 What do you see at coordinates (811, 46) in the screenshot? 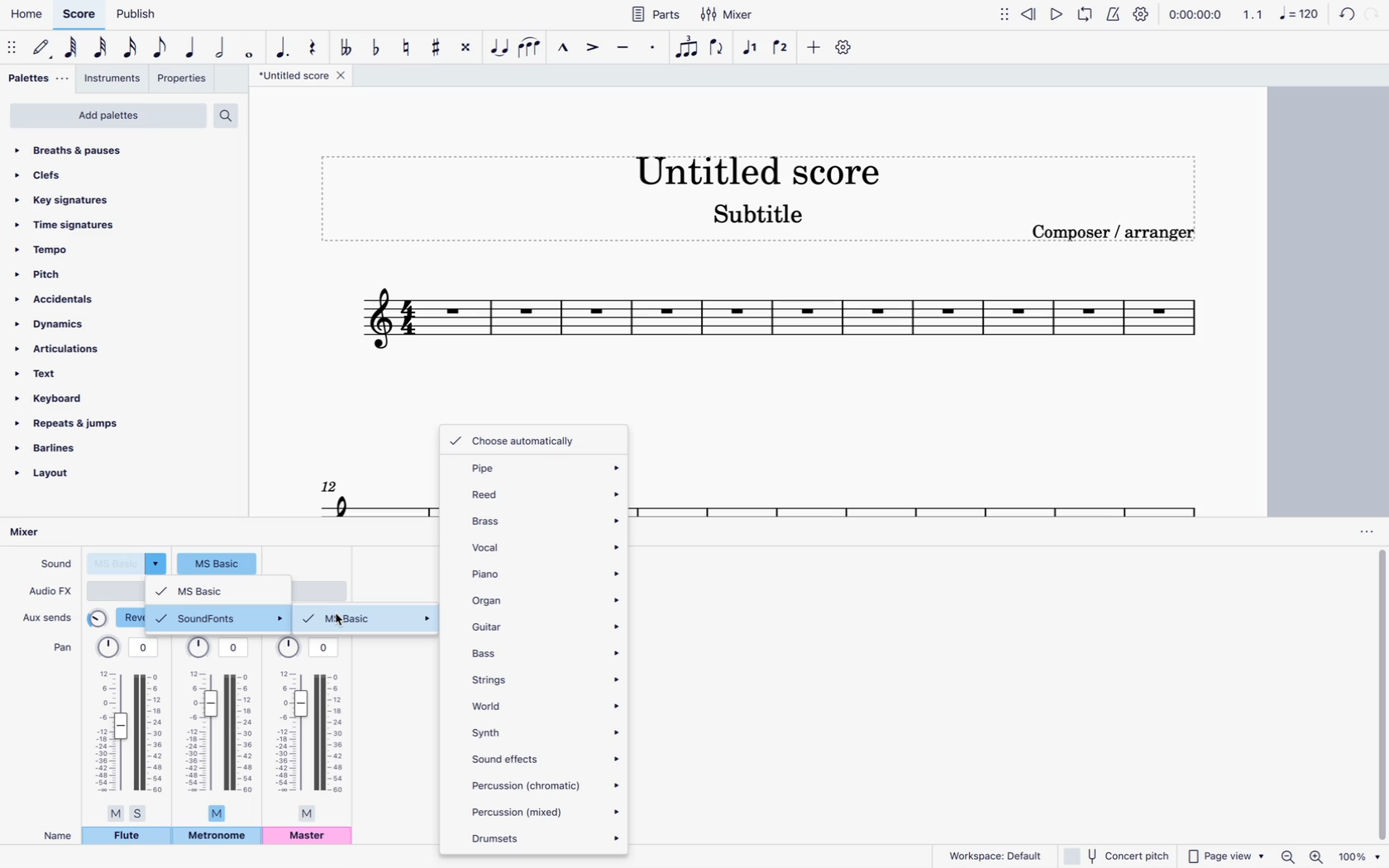
I see `more` at bounding box center [811, 46].